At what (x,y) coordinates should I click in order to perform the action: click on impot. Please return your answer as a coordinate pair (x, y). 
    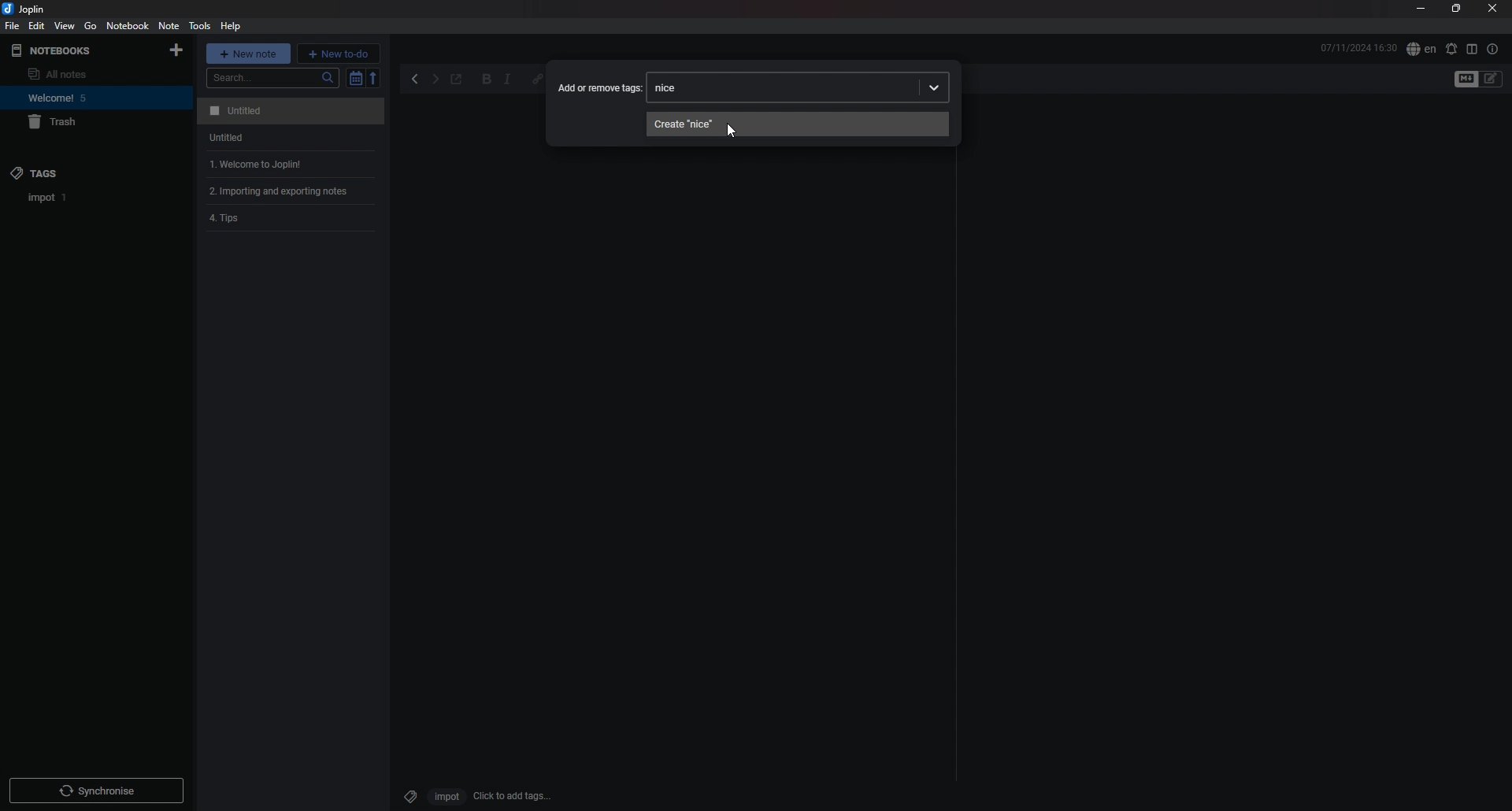
    Looking at the image, I should click on (444, 796).